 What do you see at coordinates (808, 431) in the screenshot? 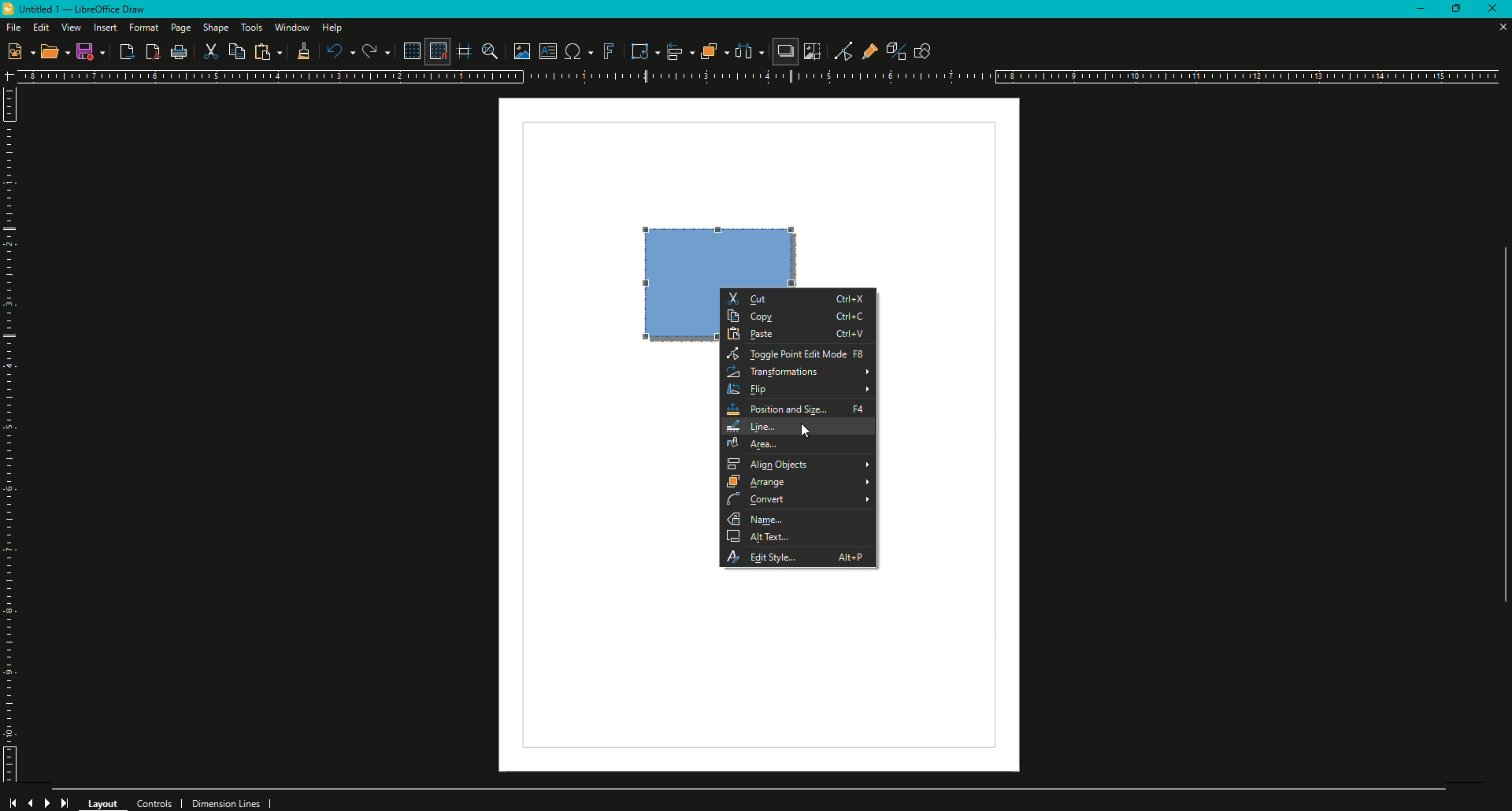
I see `Cursor` at bounding box center [808, 431].